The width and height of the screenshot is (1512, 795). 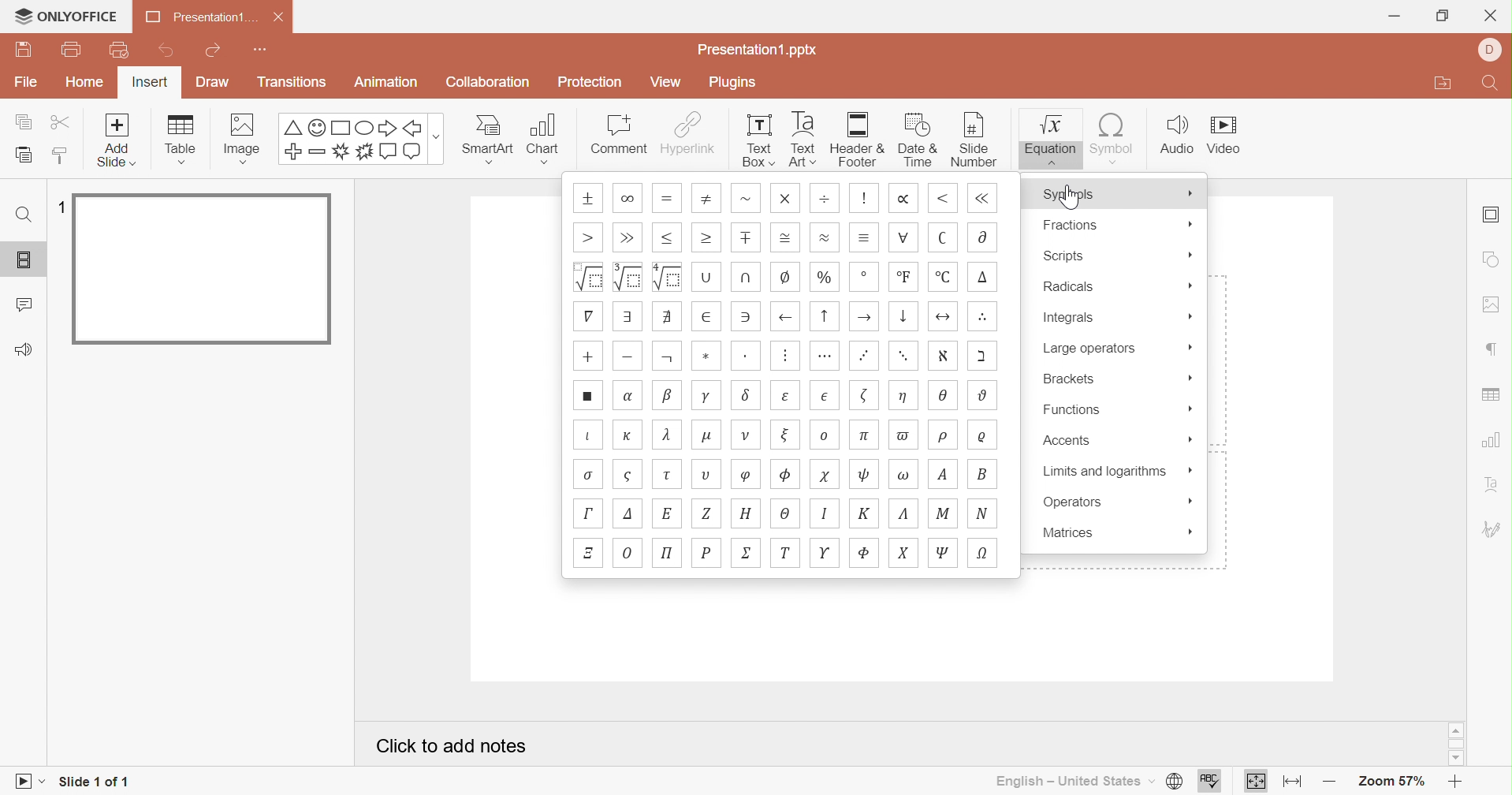 What do you see at coordinates (352, 141) in the screenshot?
I see `Symbols` at bounding box center [352, 141].